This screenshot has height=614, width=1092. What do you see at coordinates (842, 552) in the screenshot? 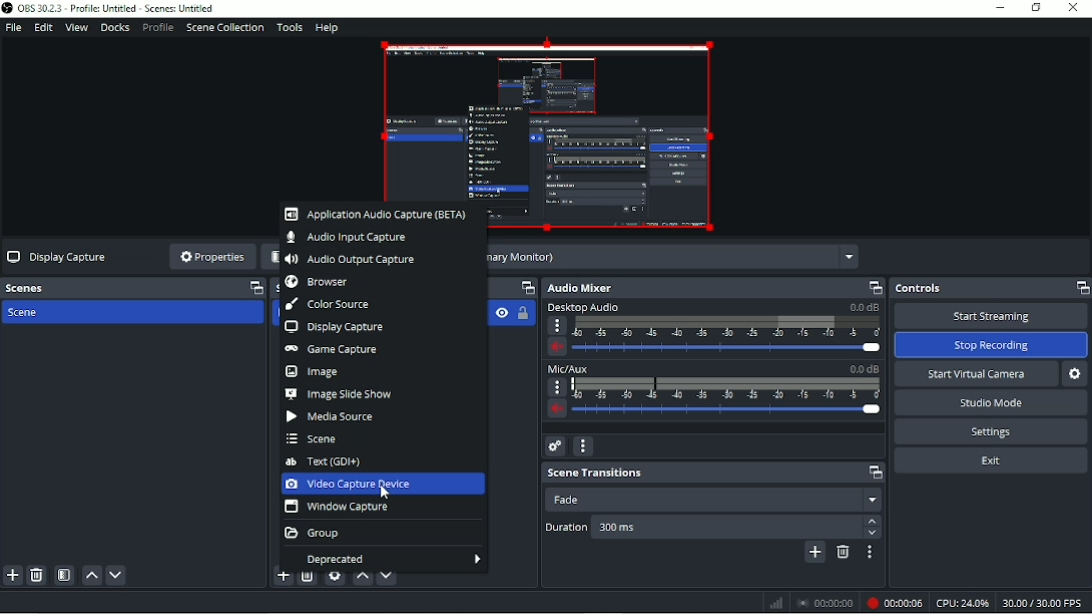
I see `Remove configurable transition` at bounding box center [842, 552].